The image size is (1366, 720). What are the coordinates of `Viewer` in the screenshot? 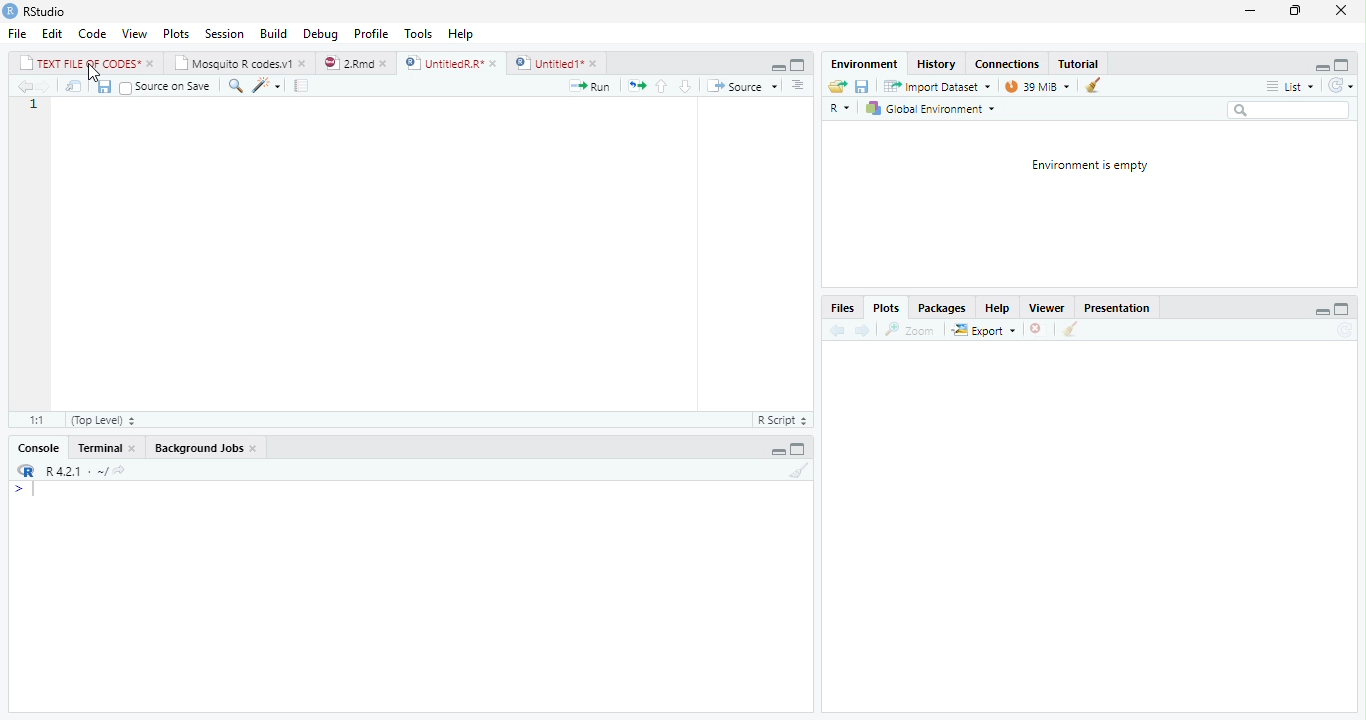 It's located at (1049, 307).